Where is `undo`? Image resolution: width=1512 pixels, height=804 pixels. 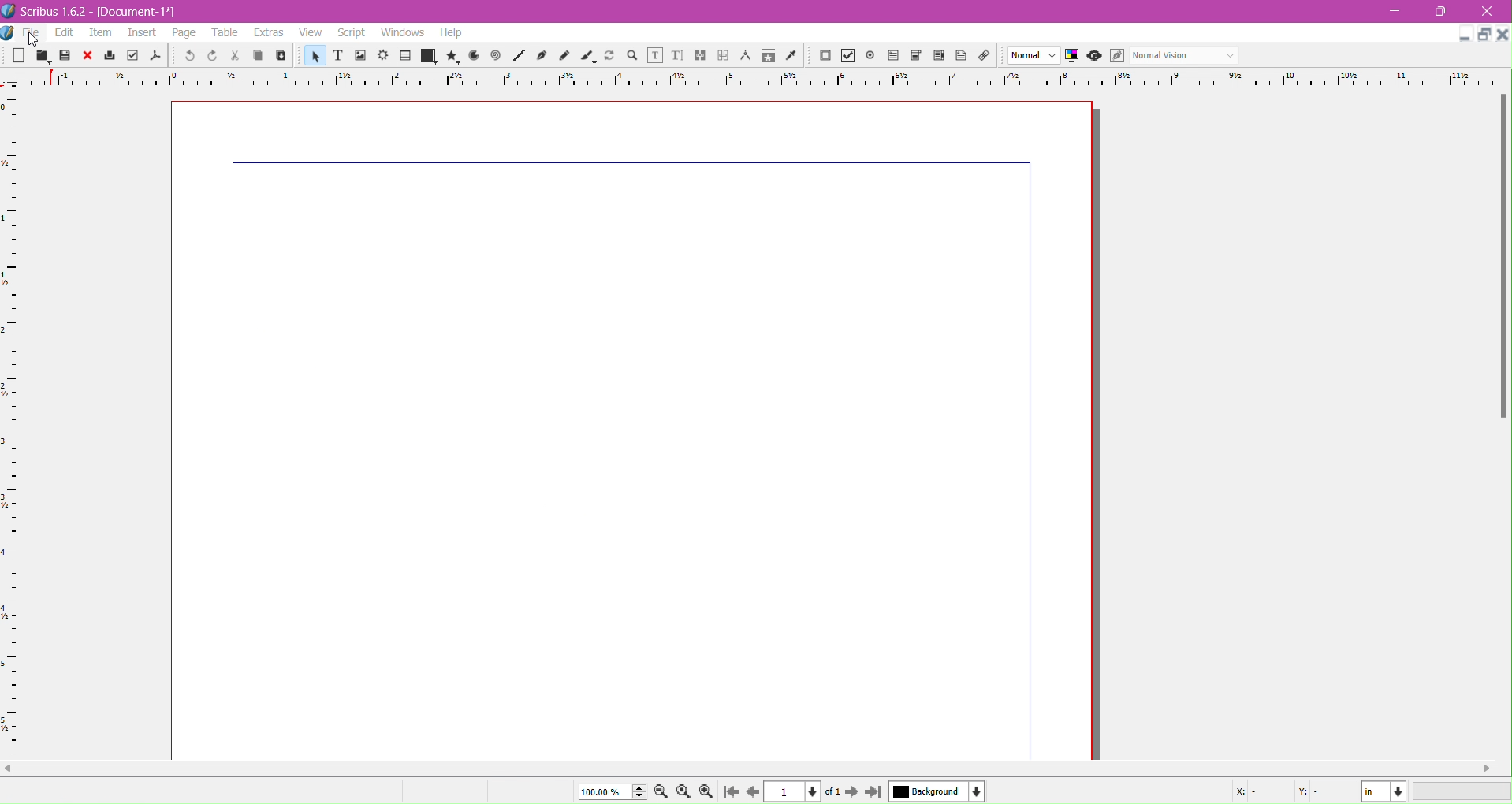 undo is located at coordinates (188, 57).